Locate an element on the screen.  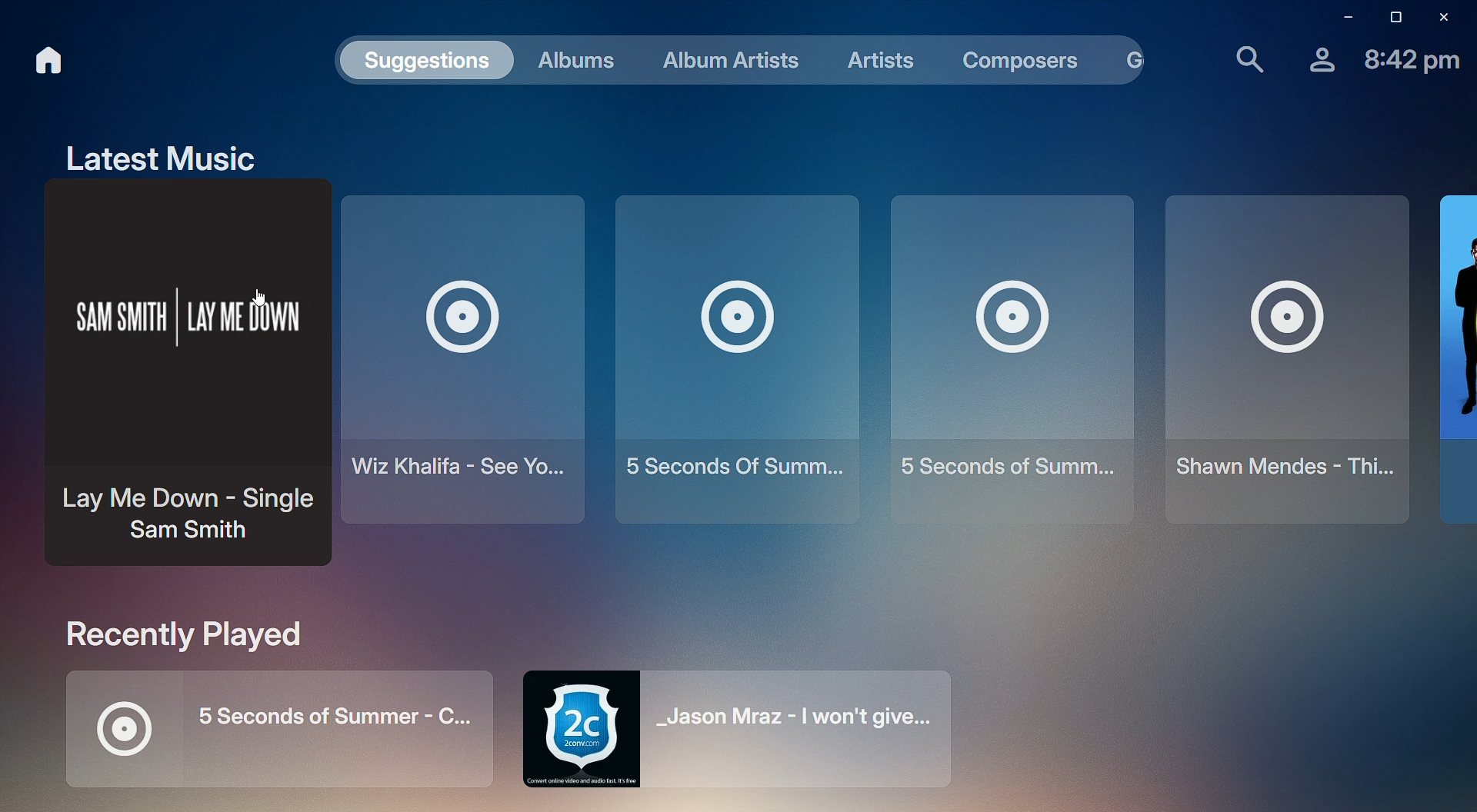
Sam Smith is located at coordinates (183, 381).